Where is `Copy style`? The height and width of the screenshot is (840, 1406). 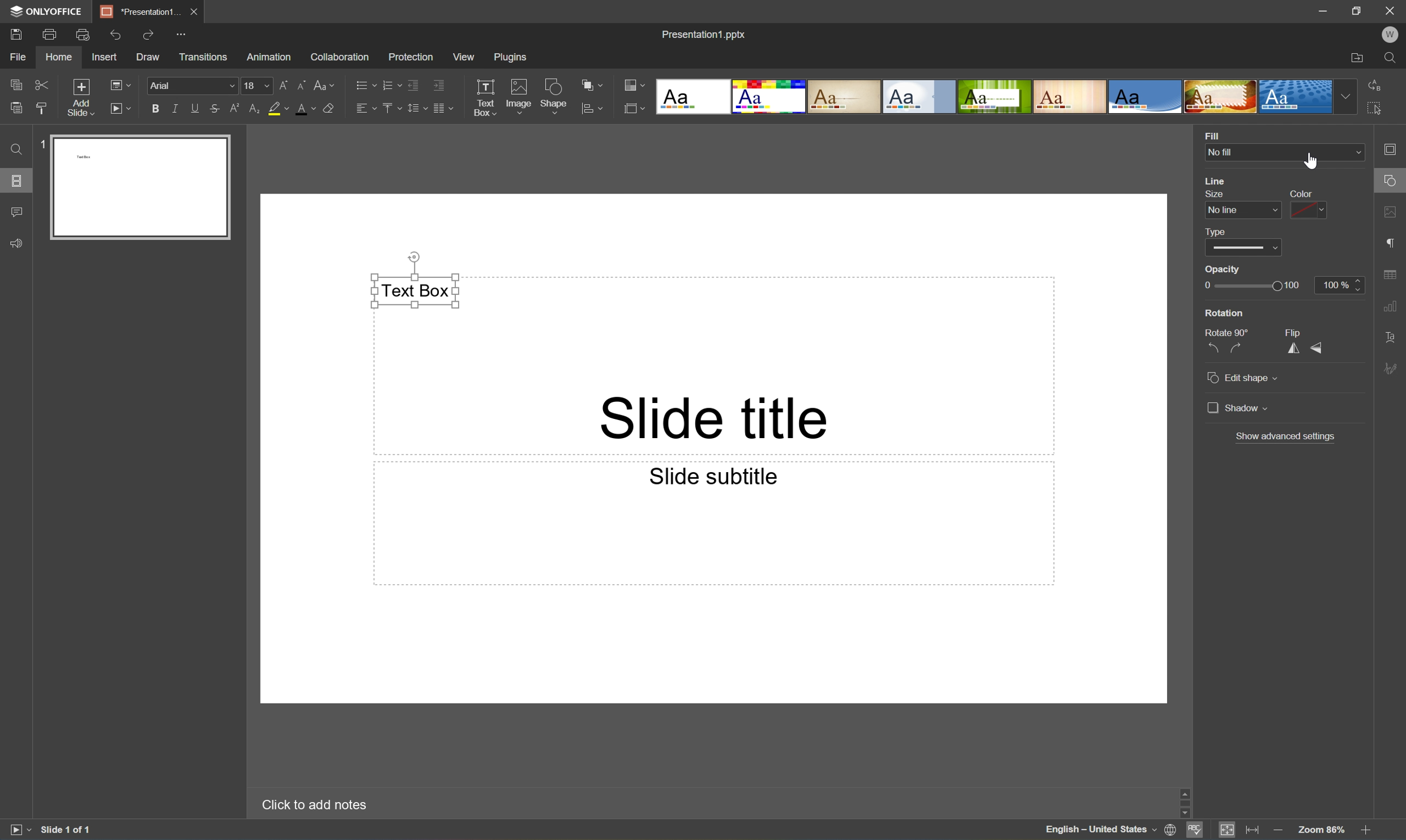
Copy style is located at coordinates (42, 109).